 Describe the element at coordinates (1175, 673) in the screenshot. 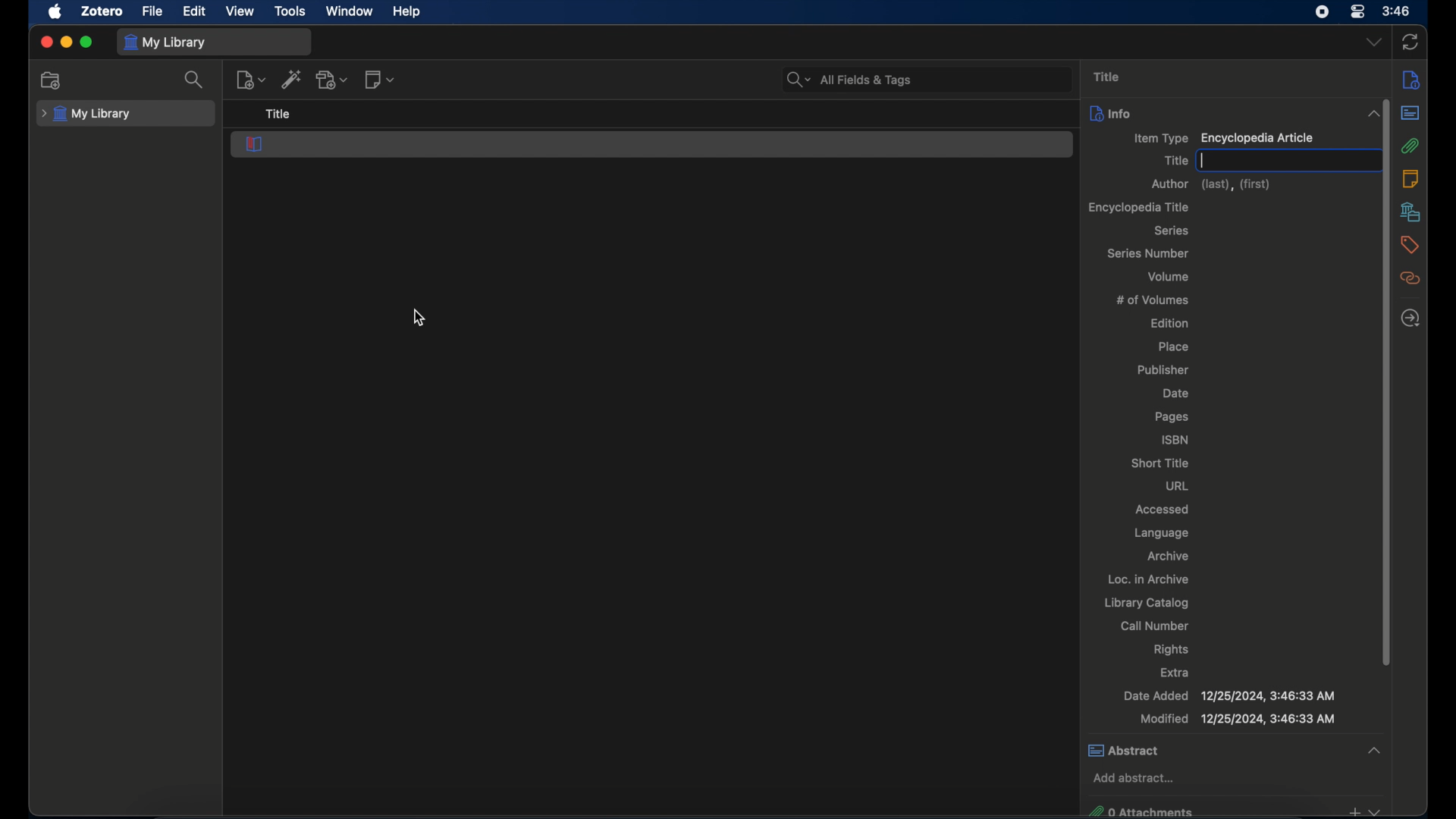

I see `extra` at that location.